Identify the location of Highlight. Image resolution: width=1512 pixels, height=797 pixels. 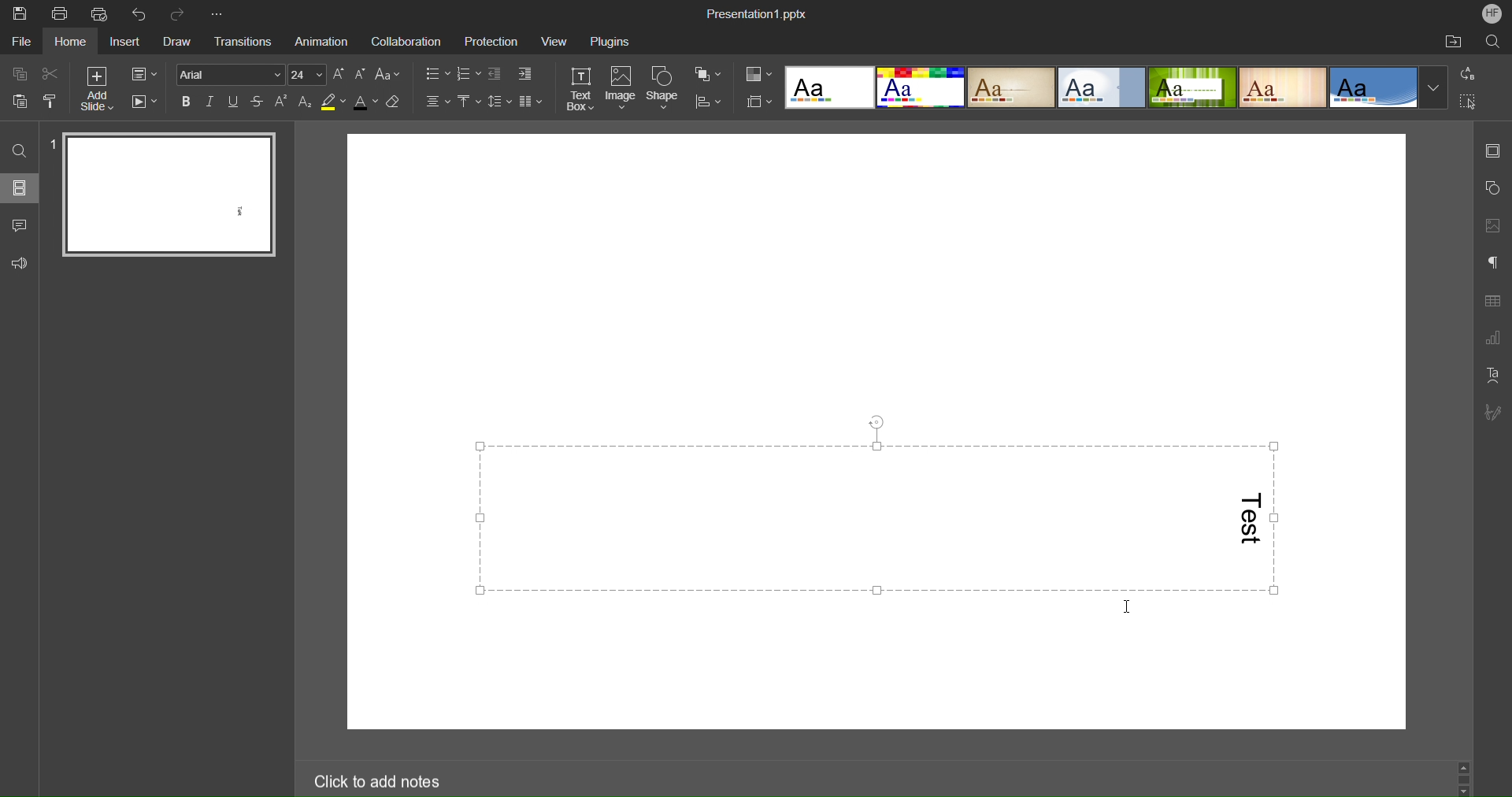
(332, 103).